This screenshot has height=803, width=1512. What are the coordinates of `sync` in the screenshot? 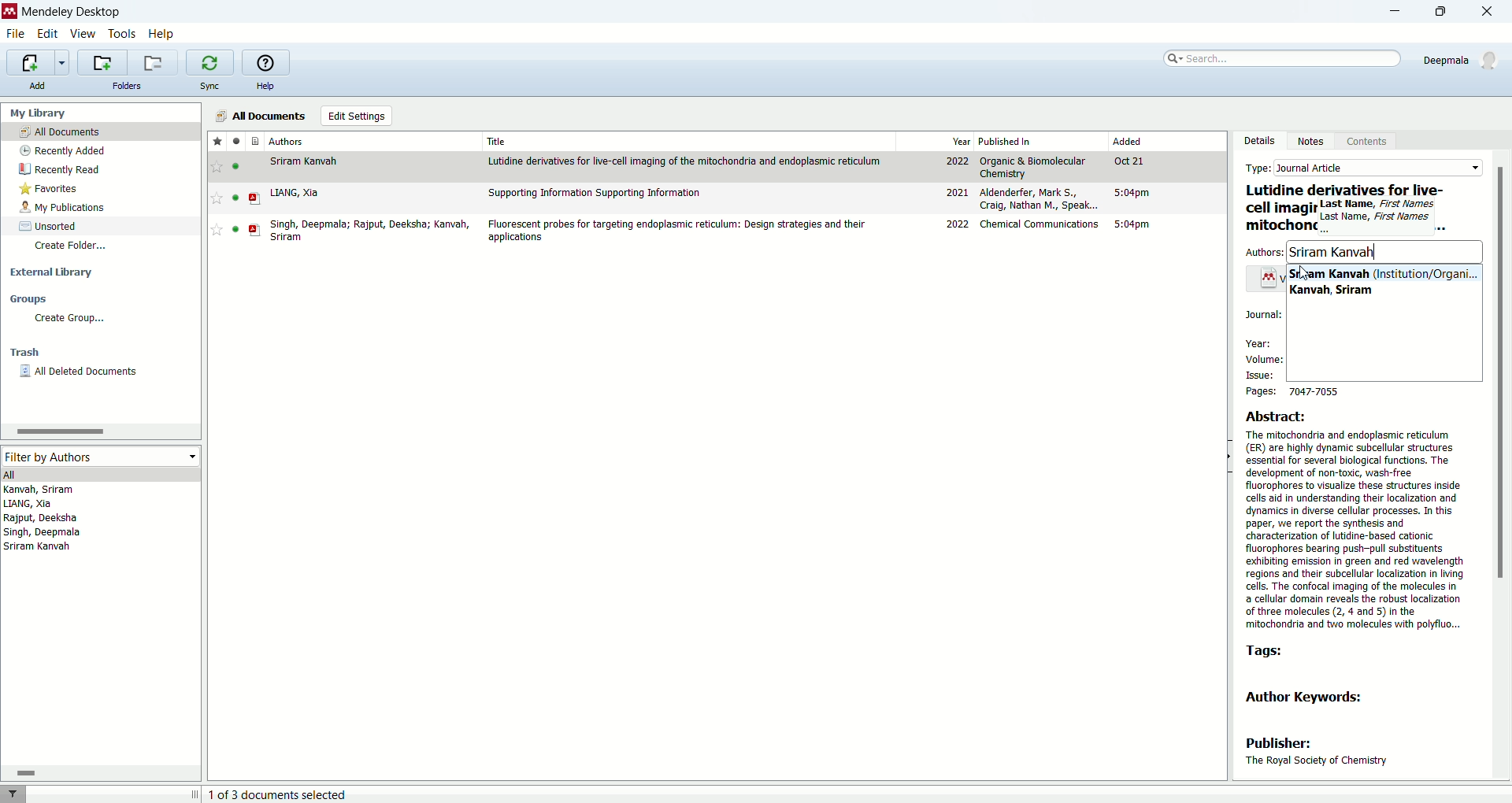 It's located at (209, 86).